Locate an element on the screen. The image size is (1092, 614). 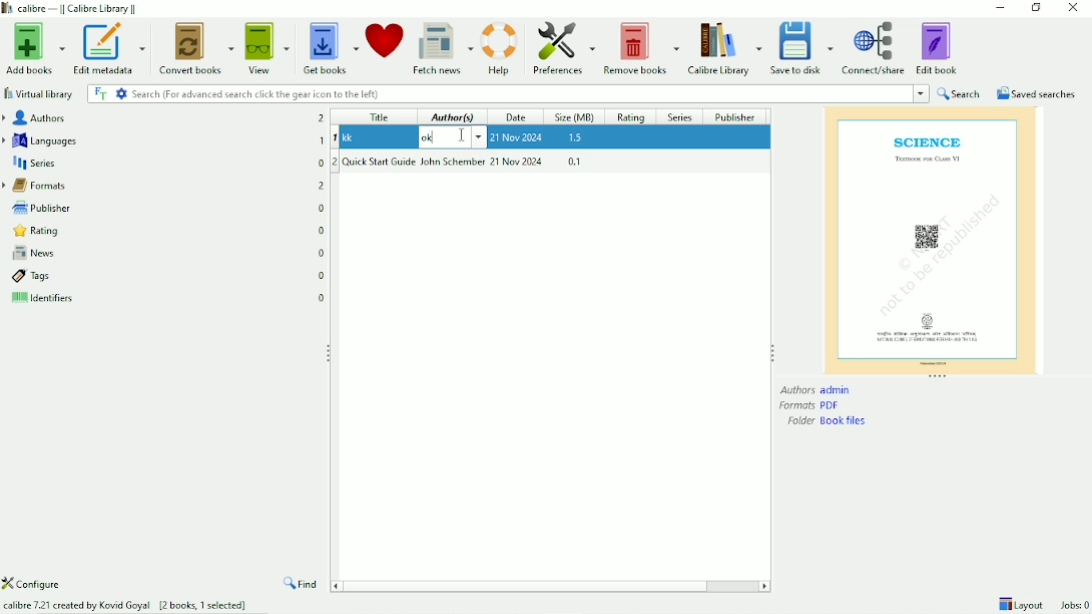
Title is located at coordinates (381, 116).